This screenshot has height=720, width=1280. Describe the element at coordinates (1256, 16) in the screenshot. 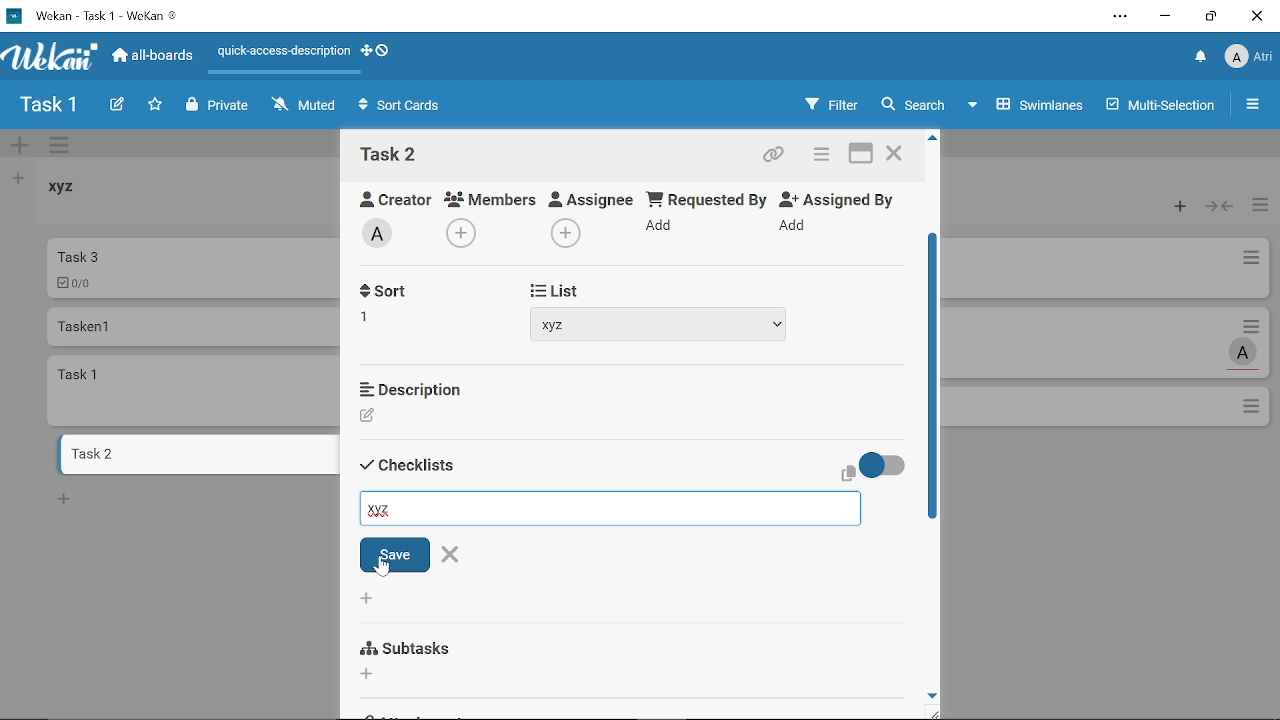

I see `Close` at that location.